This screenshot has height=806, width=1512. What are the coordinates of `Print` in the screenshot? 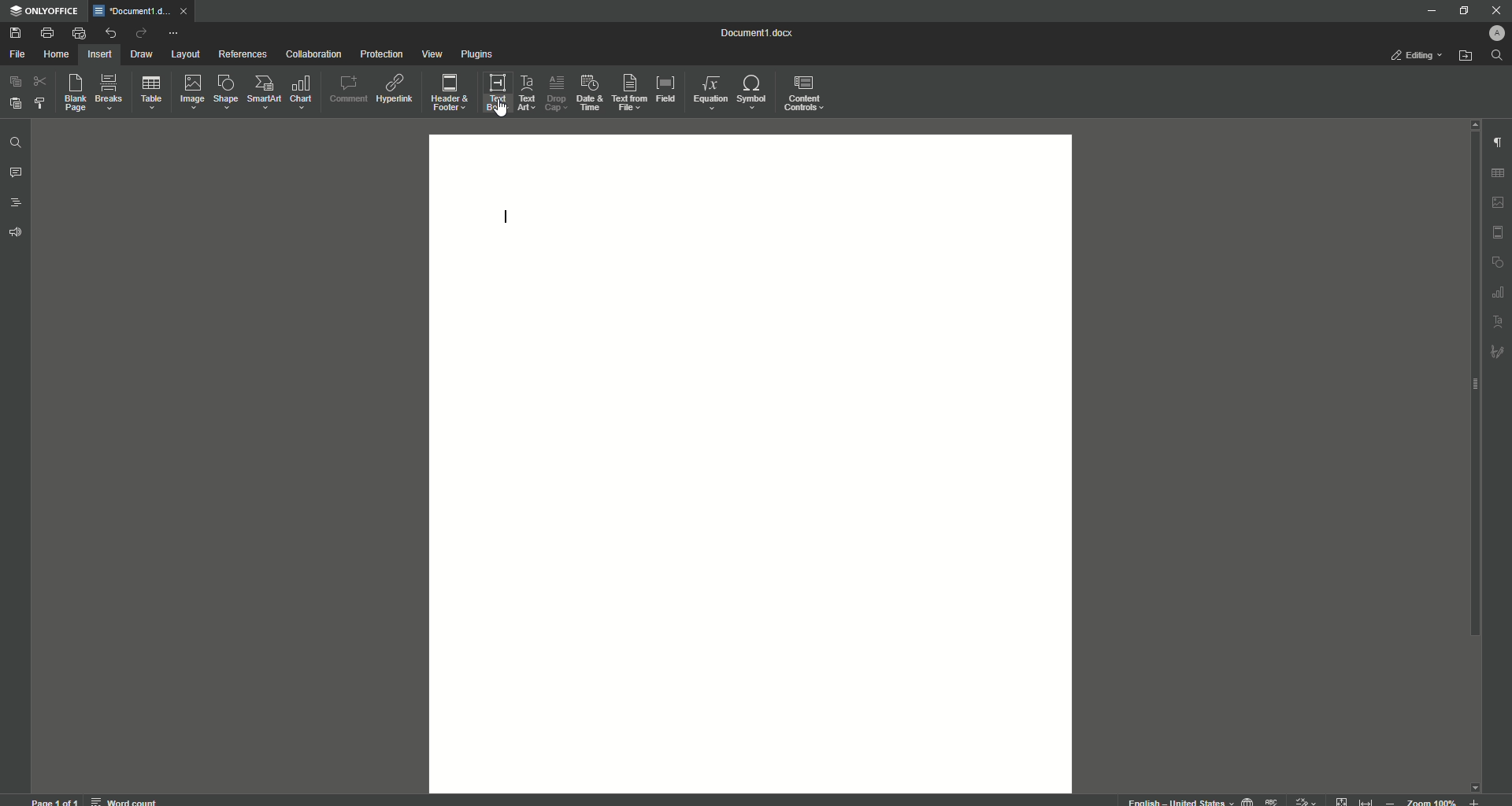 It's located at (46, 33).